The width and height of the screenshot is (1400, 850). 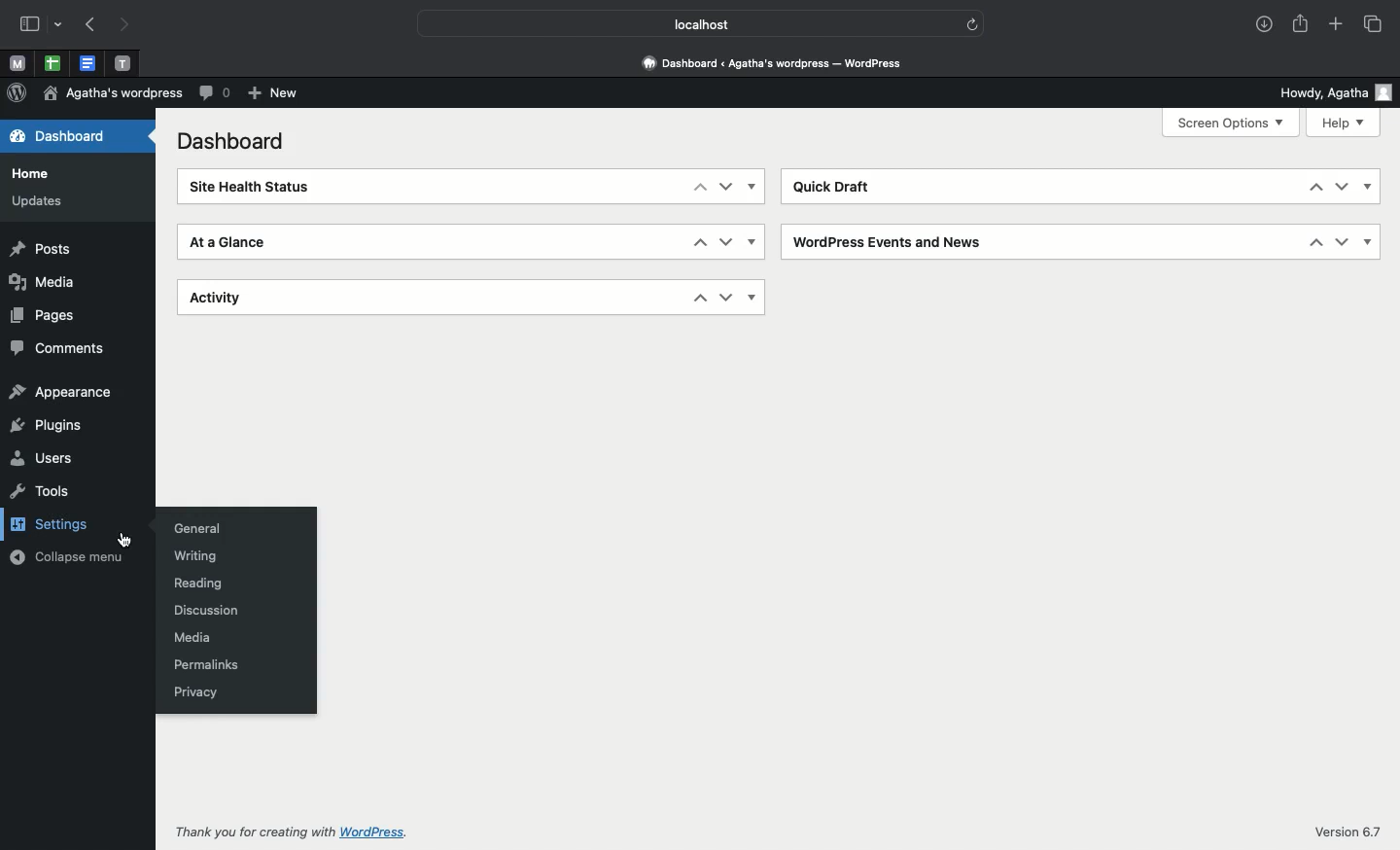 I want to click on Comment, so click(x=216, y=93).